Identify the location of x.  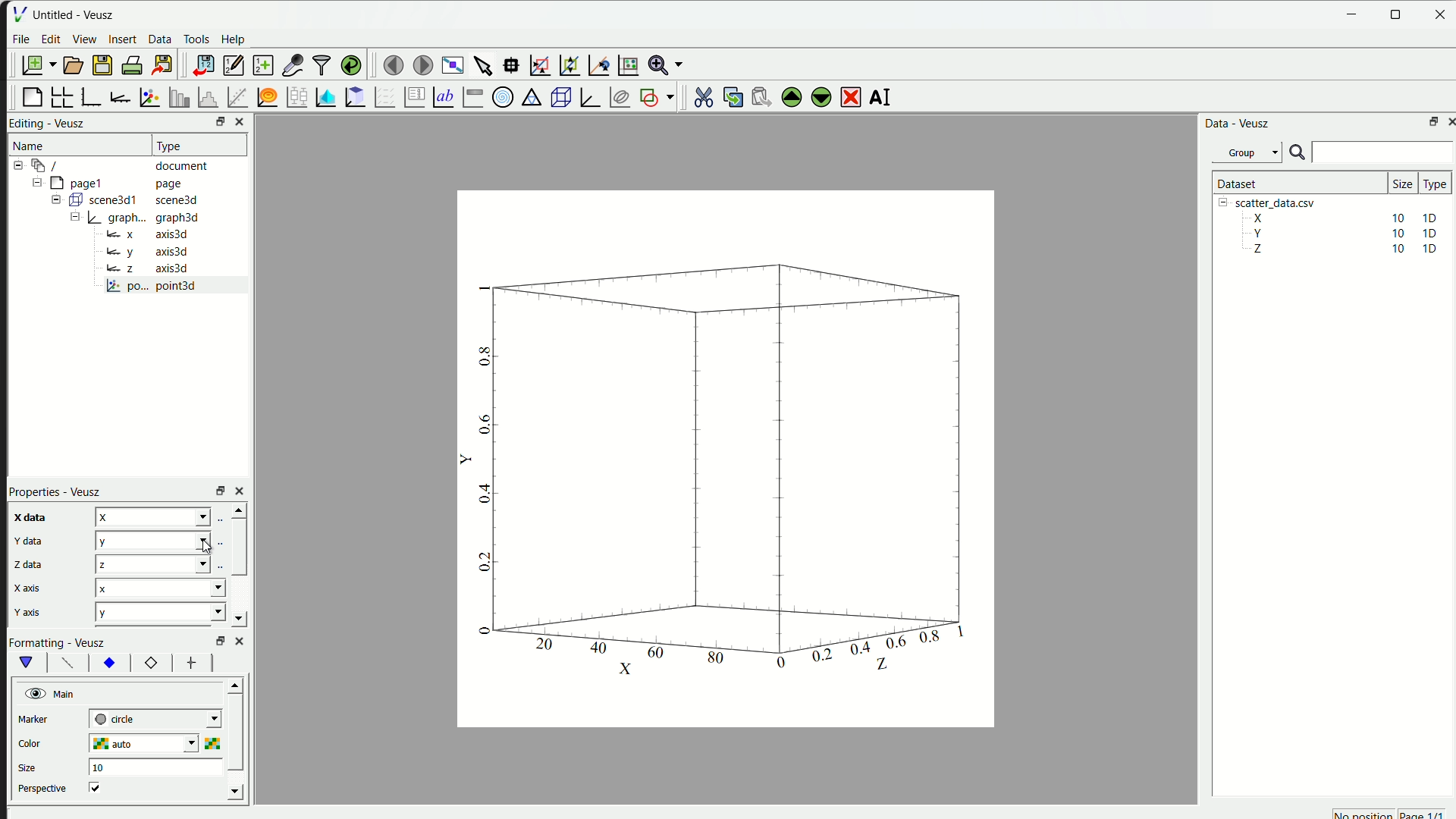
(161, 591).